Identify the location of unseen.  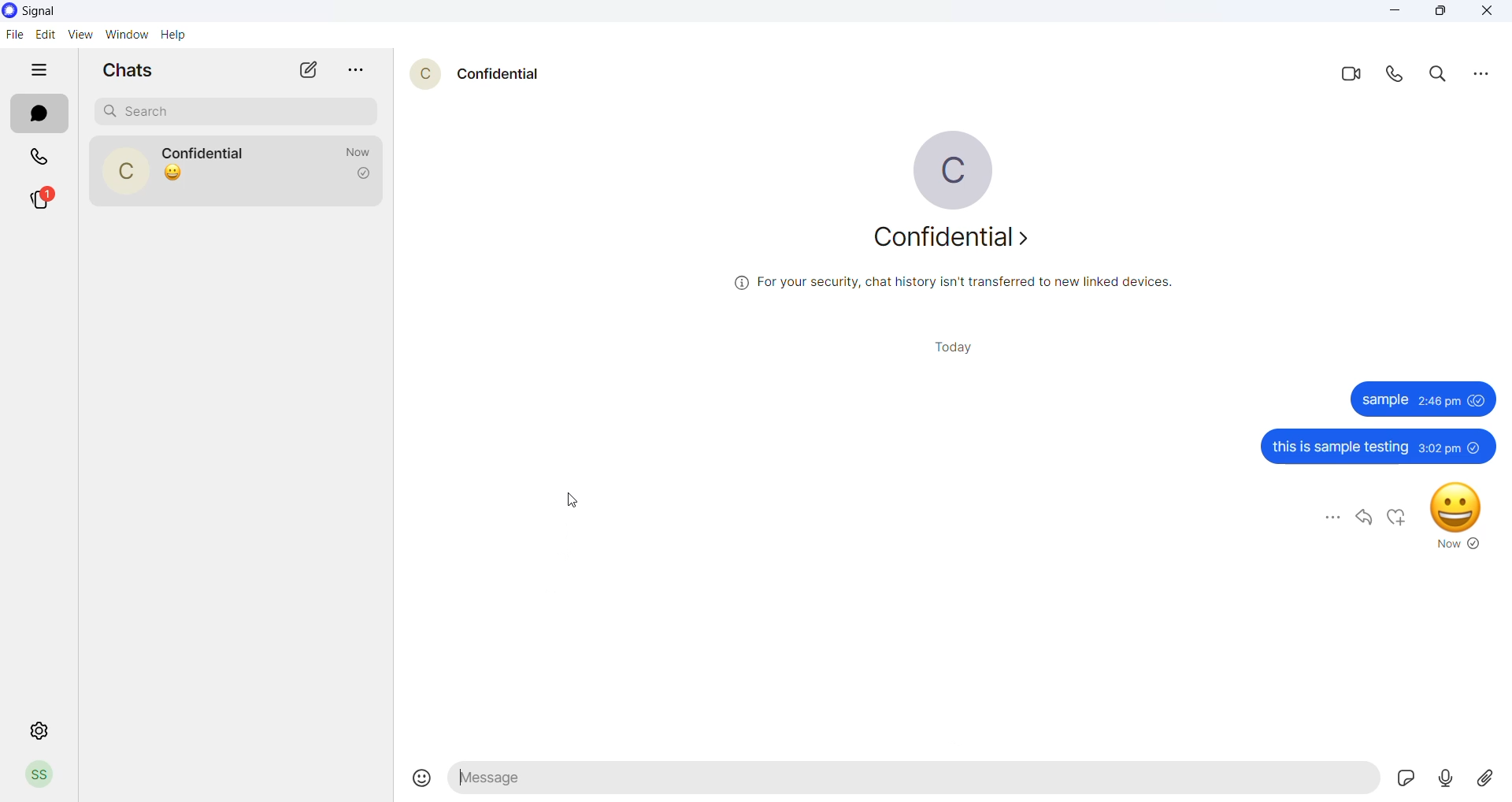
(1477, 447).